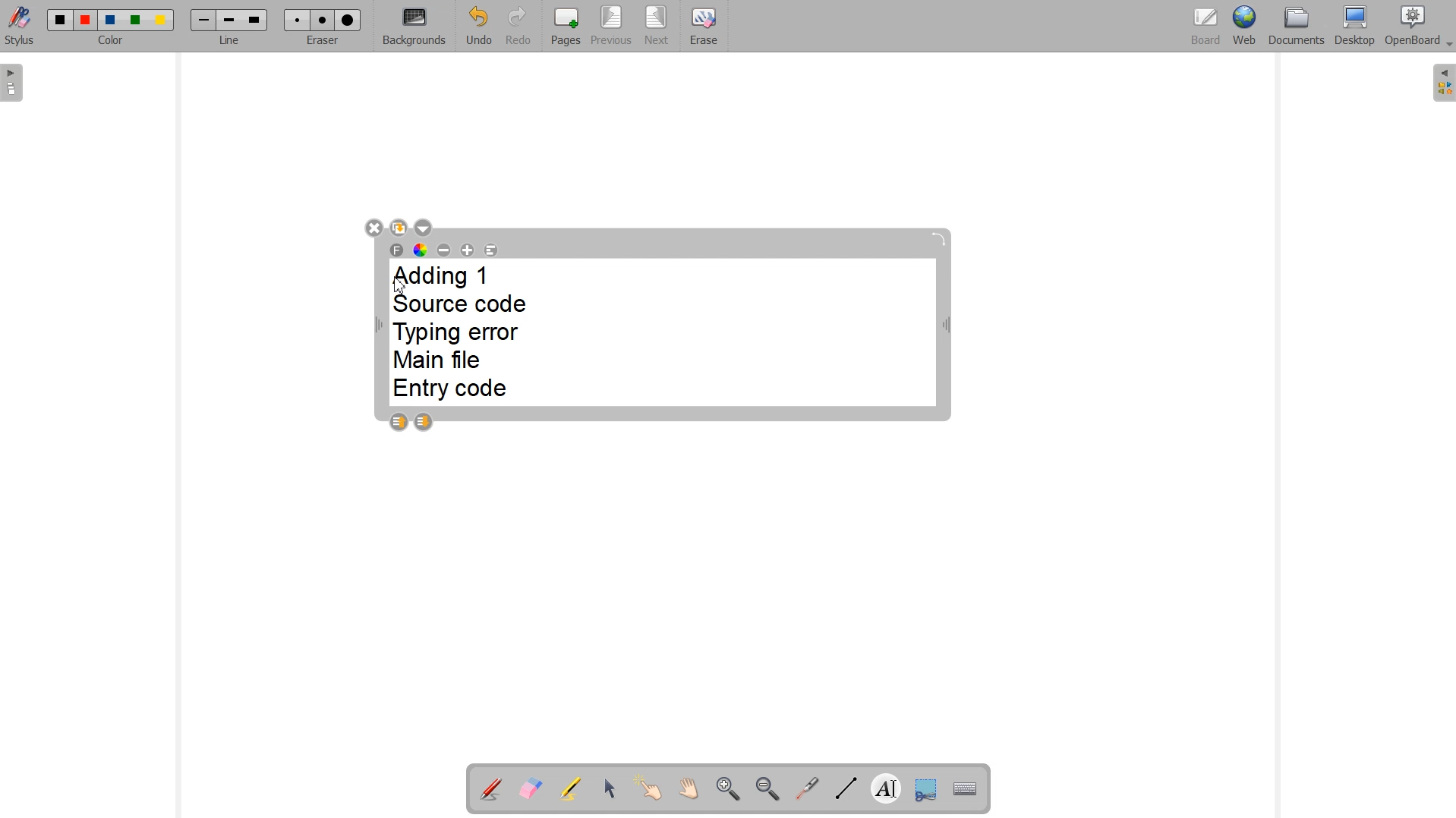  What do you see at coordinates (491, 250) in the screenshot?
I see `Text Alignment` at bounding box center [491, 250].